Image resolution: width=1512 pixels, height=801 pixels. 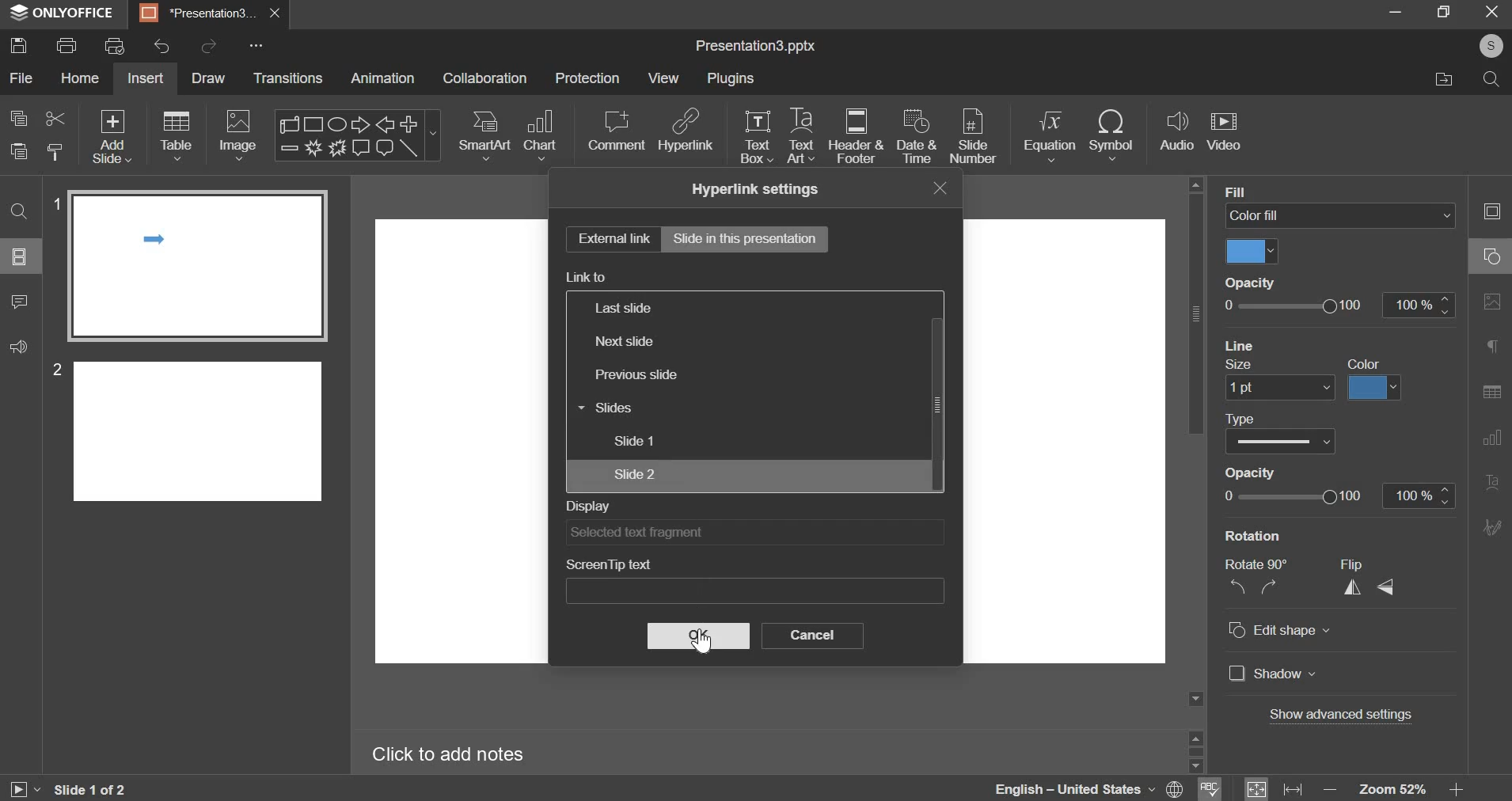 What do you see at coordinates (63, 16) in the screenshot?
I see `app name` at bounding box center [63, 16].